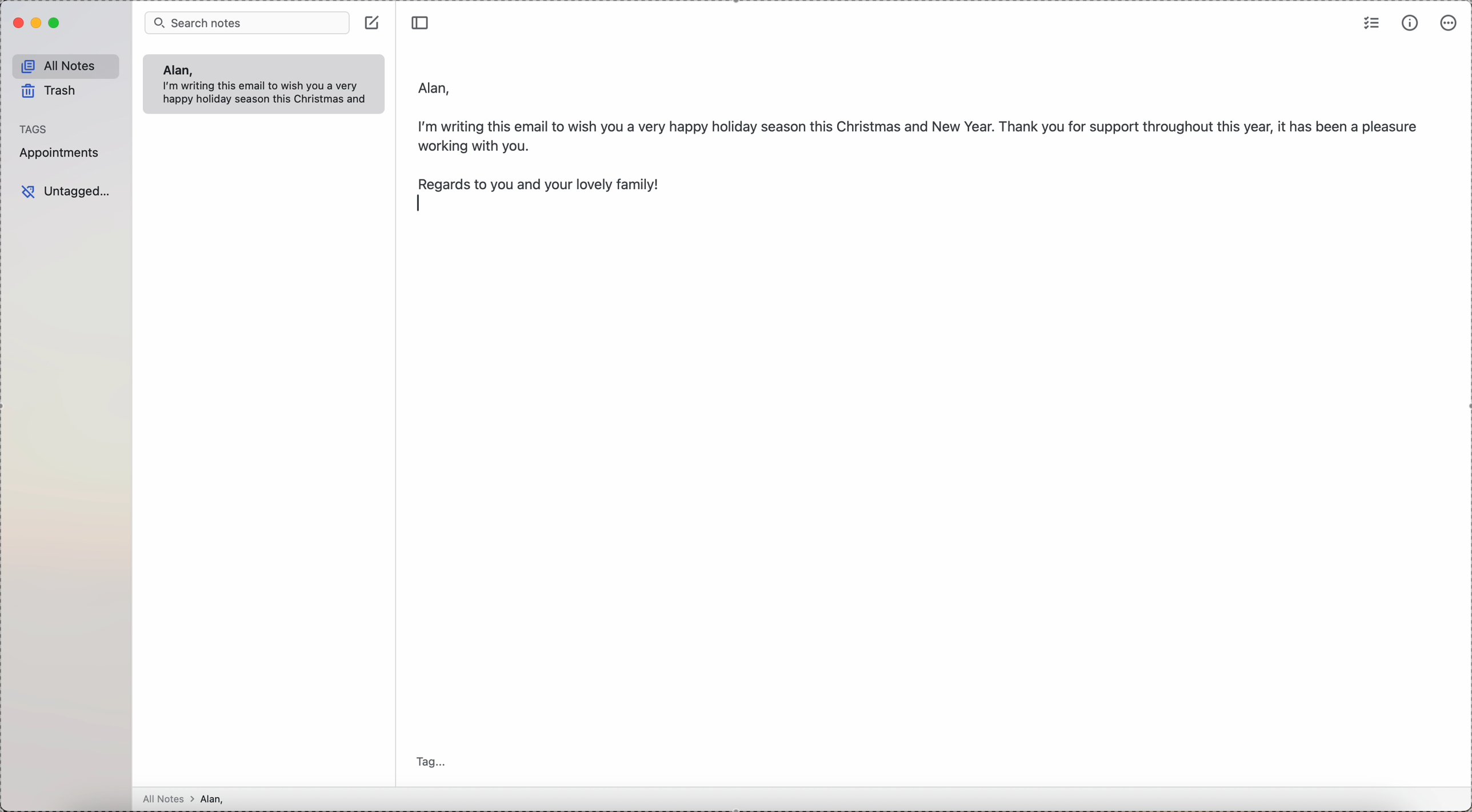 This screenshot has width=1472, height=812. What do you see at coordinates (34, 129) in the screenshot?
I see `tags` at bounding box center [34, 129].